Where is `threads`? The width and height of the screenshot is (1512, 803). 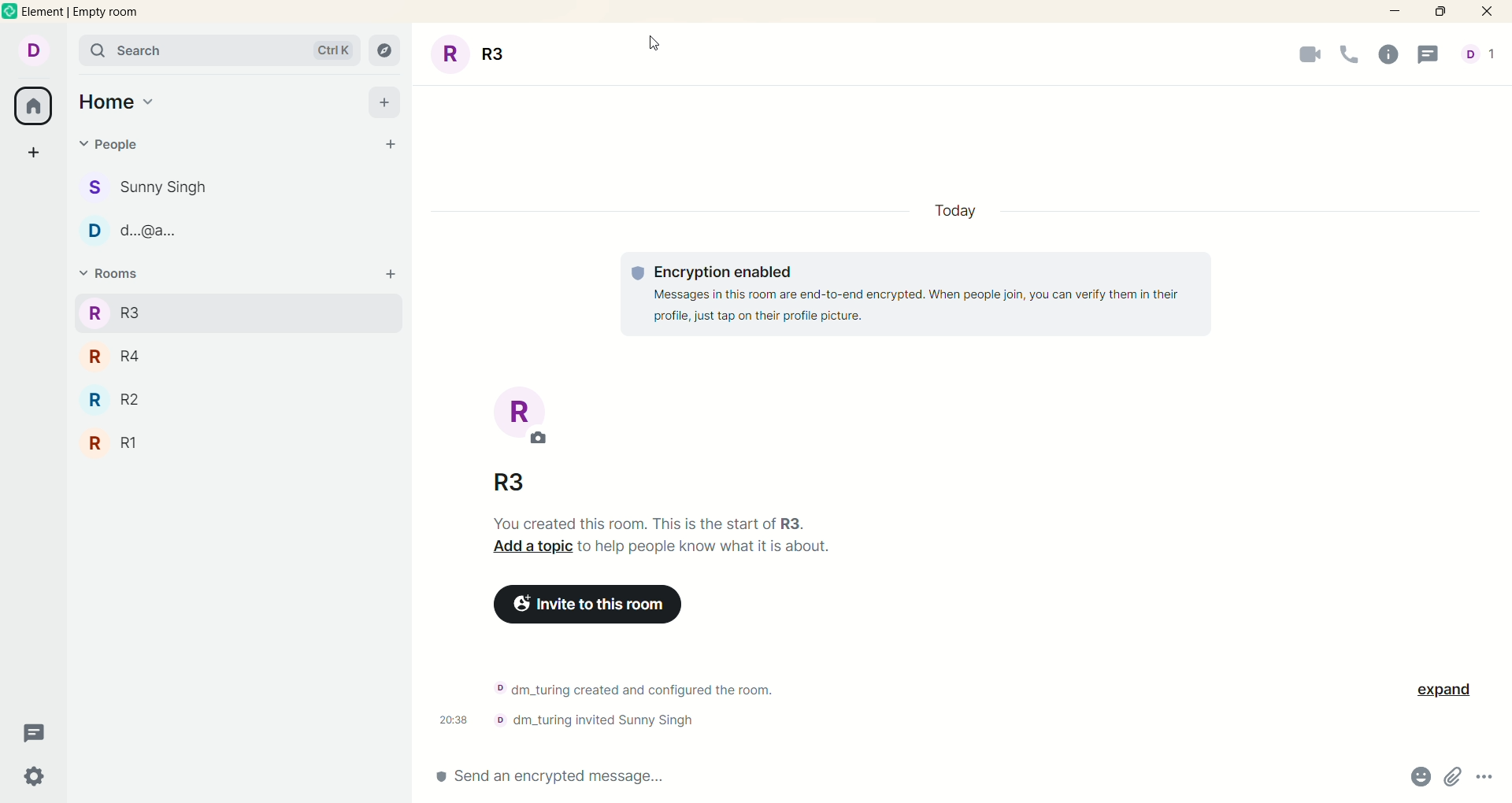 threads is located at coordinates (35, 734).